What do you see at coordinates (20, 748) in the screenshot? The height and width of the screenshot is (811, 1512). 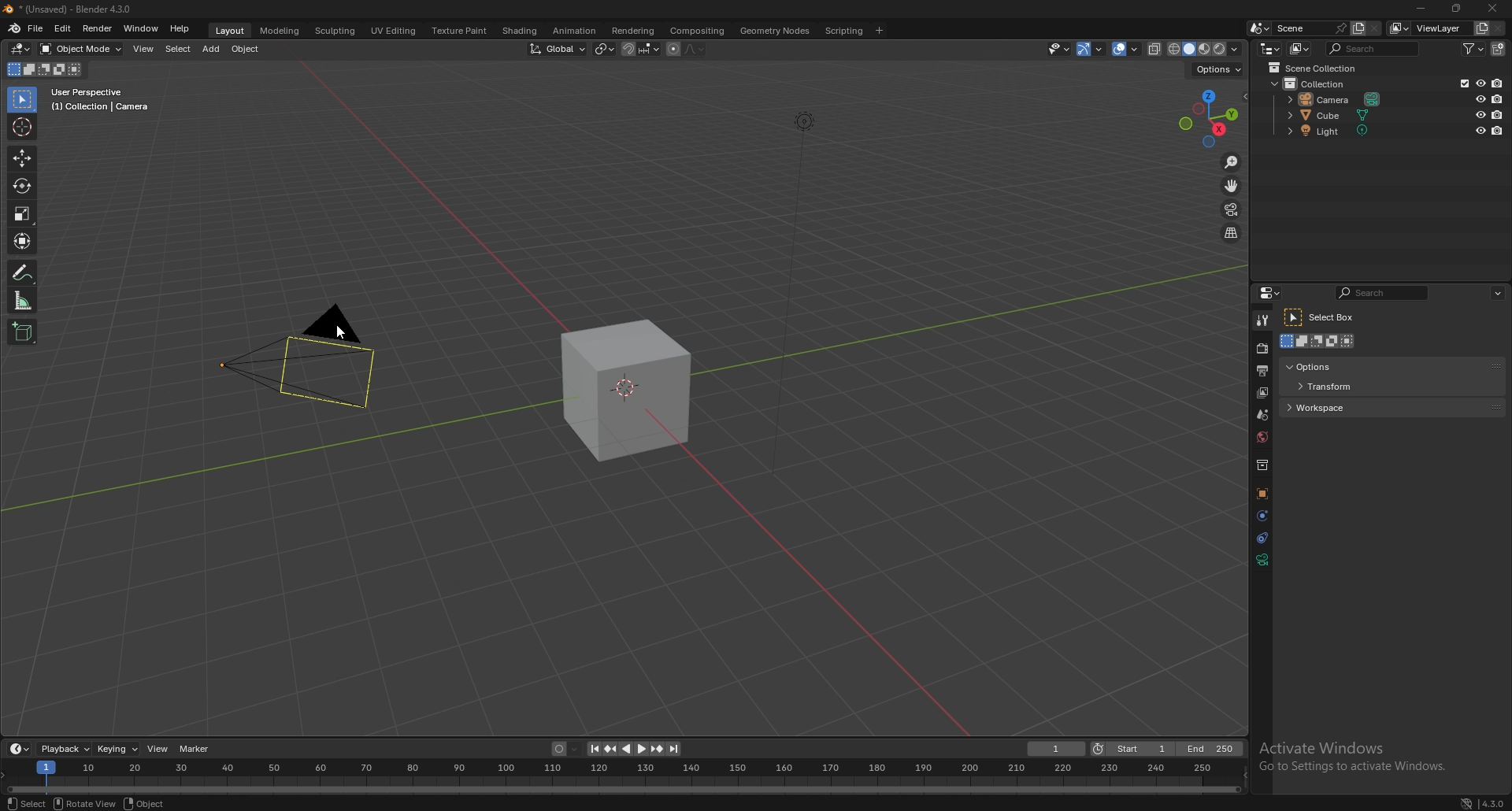 I see `editor type` at bounding box center [20, 748].